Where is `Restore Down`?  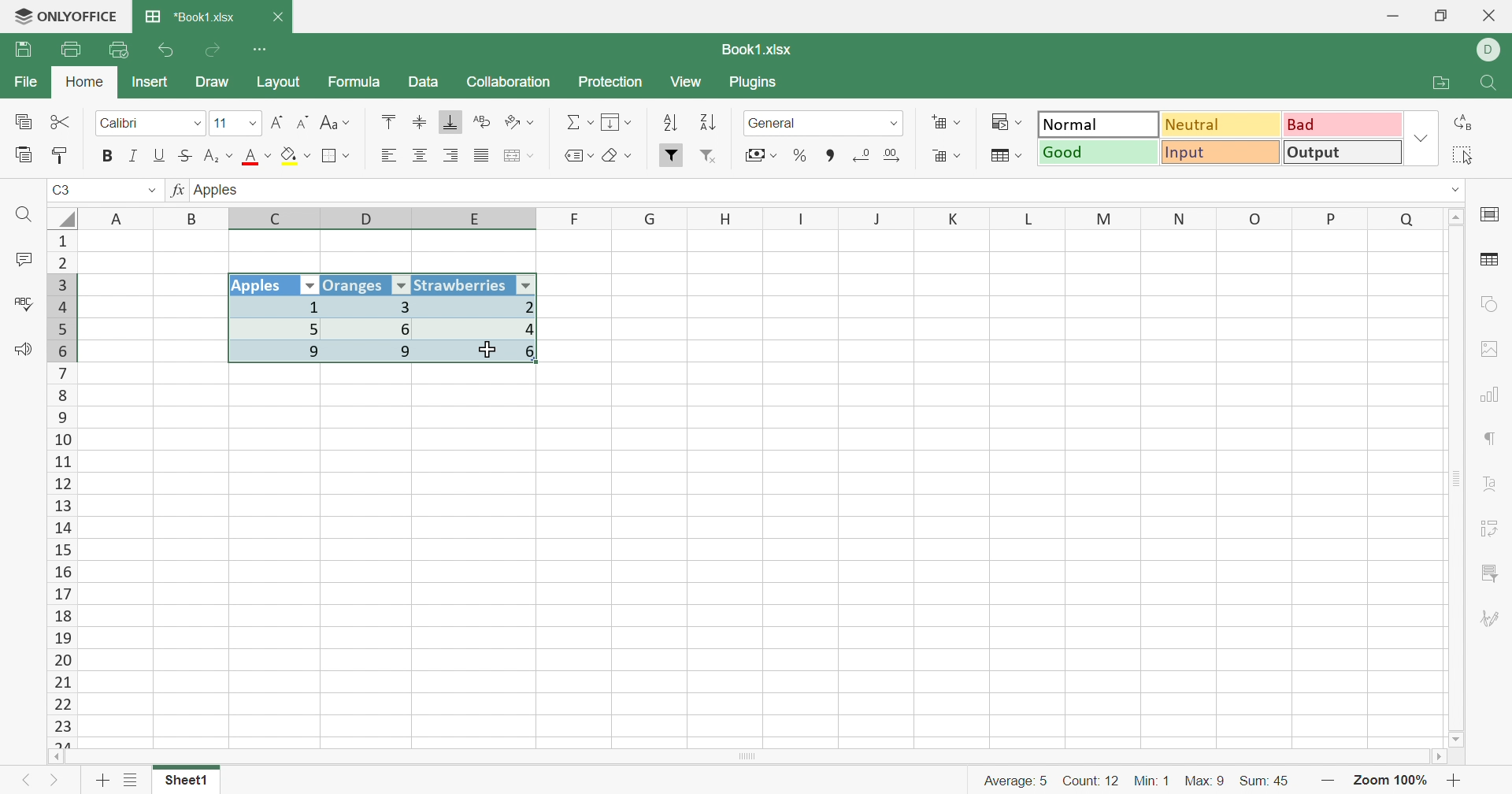
Restore Down is located at coordinates (1443, 16).